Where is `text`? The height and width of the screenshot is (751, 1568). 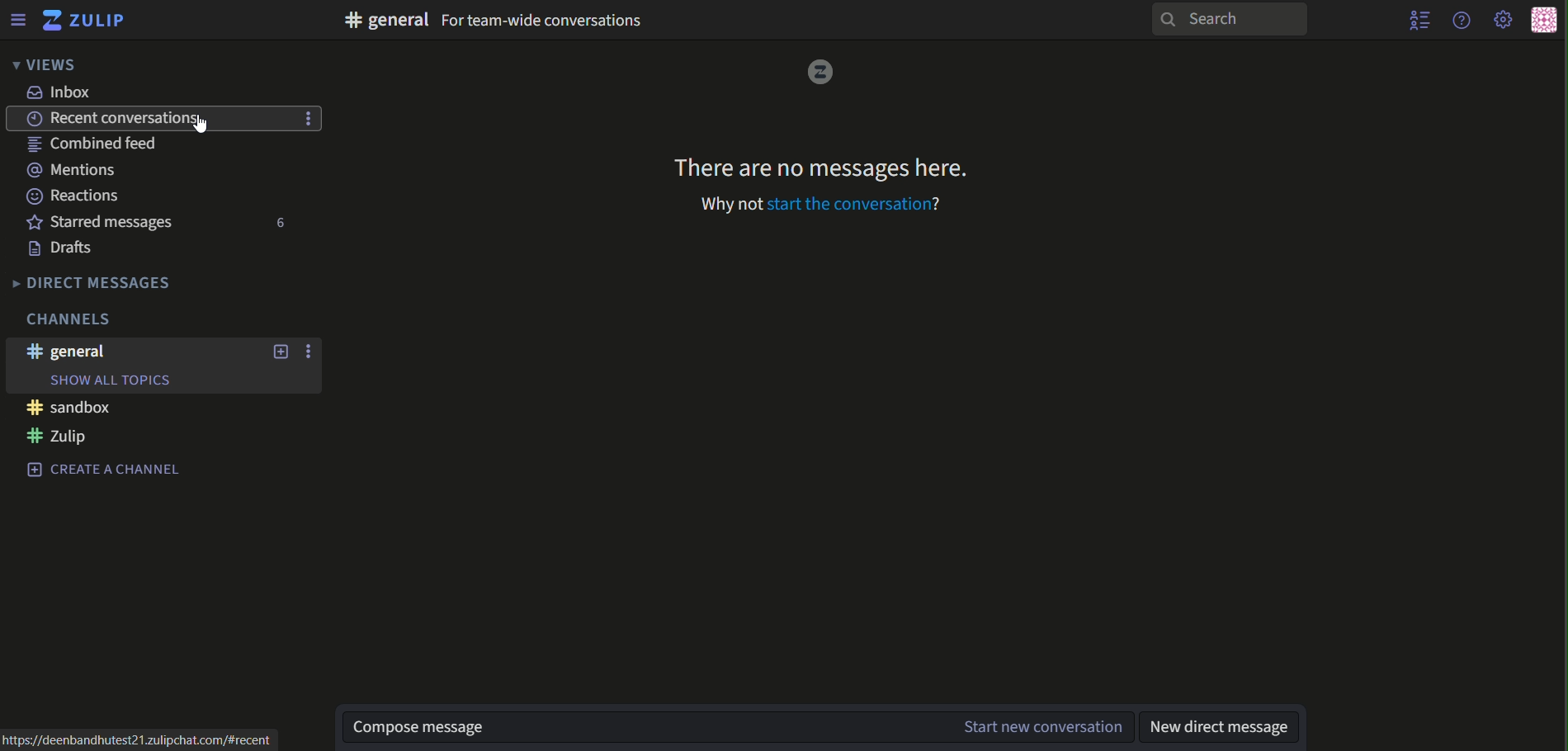
text is located at coordinates (111, 380).